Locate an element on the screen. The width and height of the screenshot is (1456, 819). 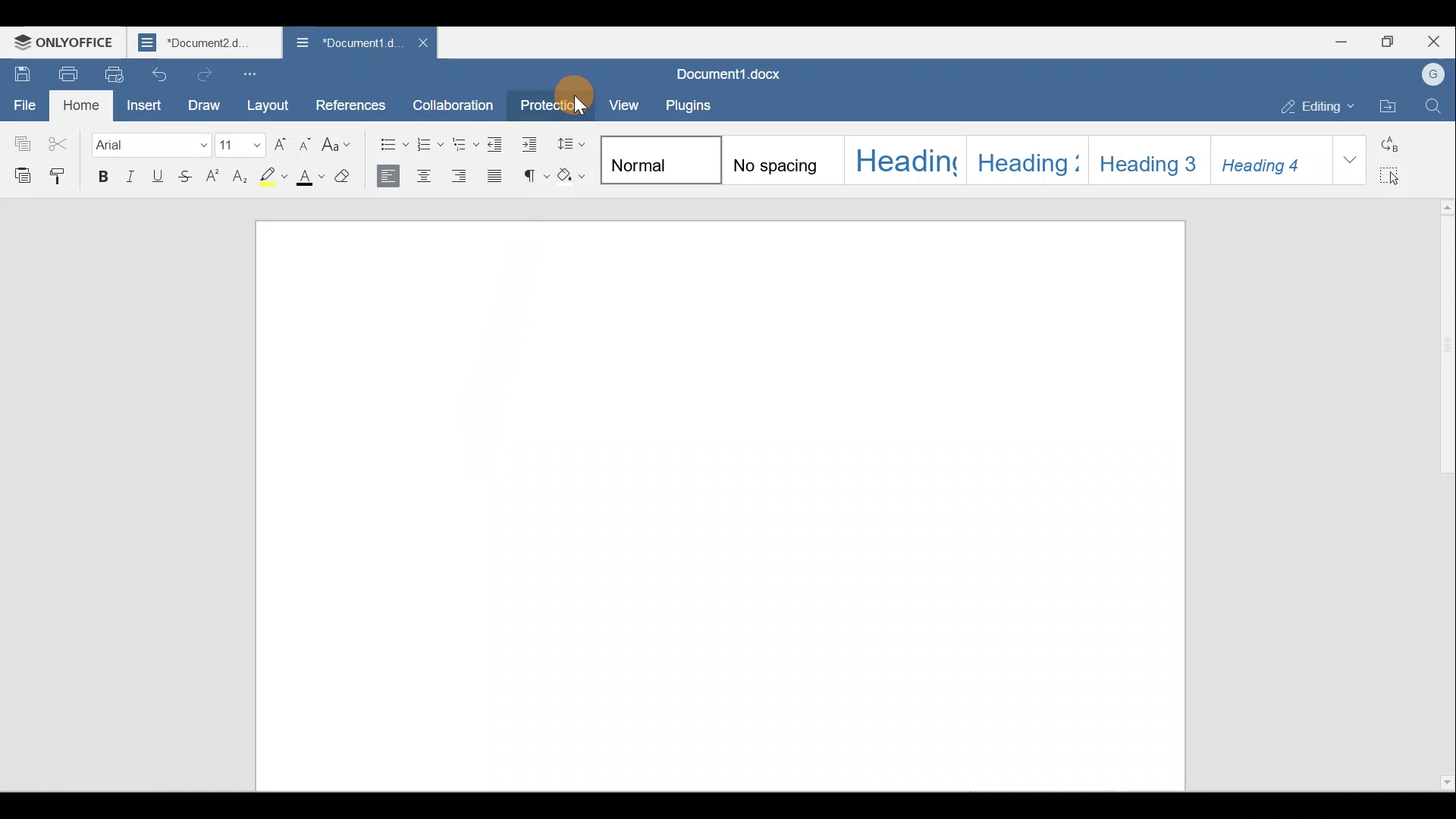
Layout is located at coordinates (265, 102).